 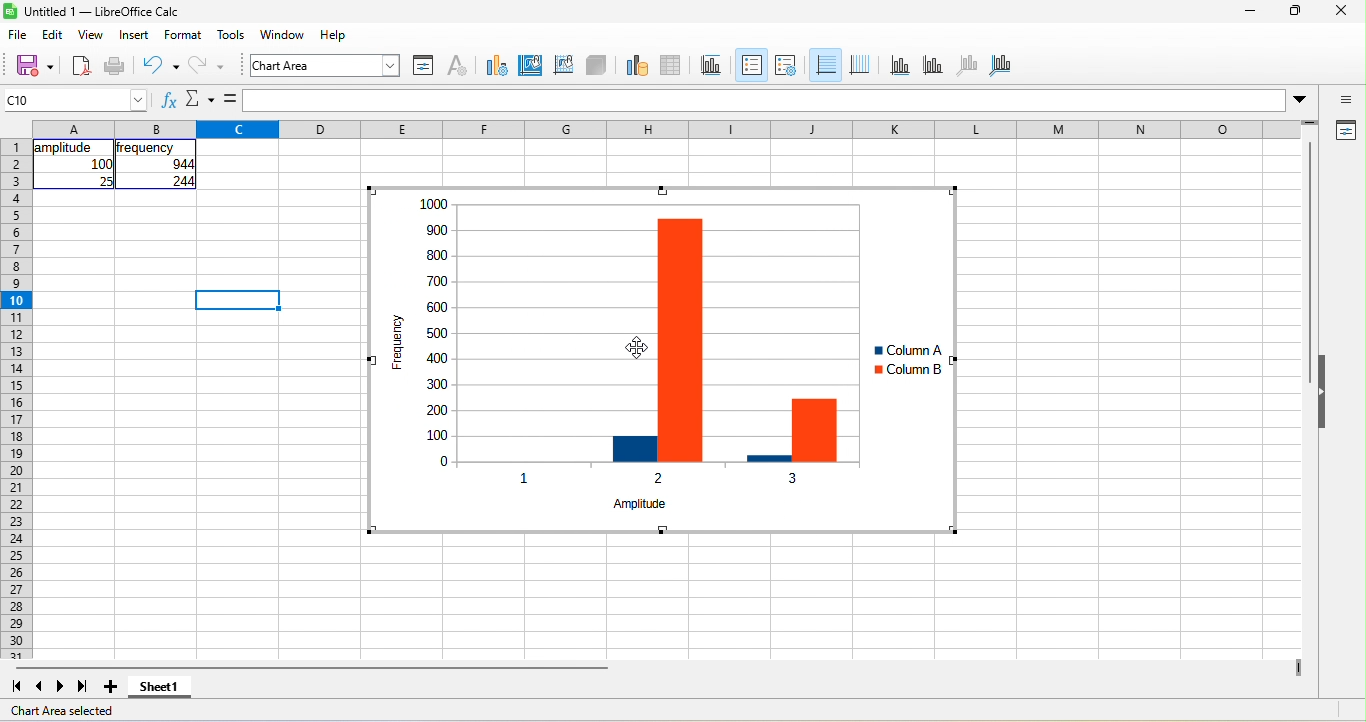 What do you see at coordinates (765, 100) in the screenshot?
I see `formula bar` at bounding box center [765, 100].